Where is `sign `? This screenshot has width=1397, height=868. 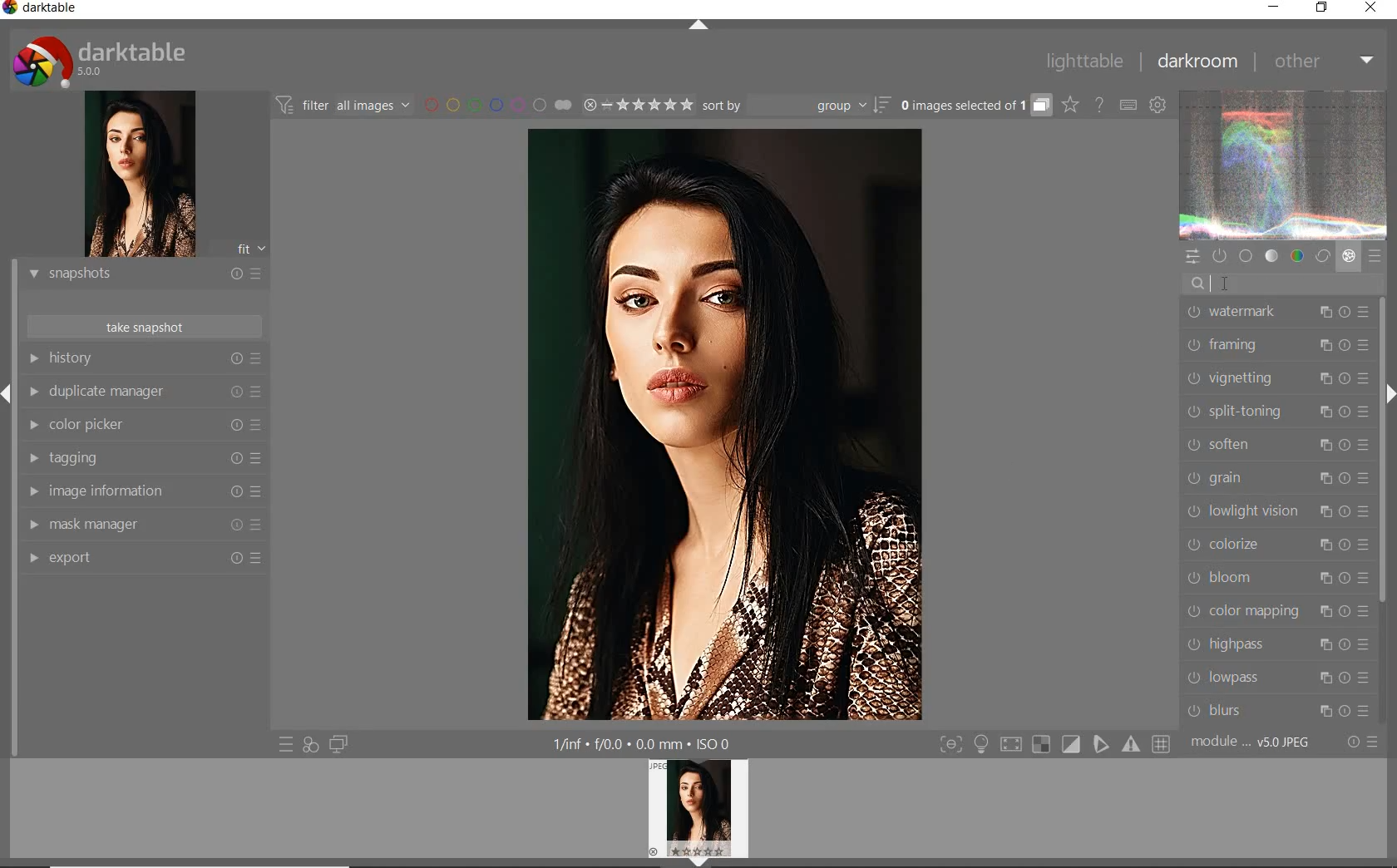 sign  is located at coordinates (1072, 745).